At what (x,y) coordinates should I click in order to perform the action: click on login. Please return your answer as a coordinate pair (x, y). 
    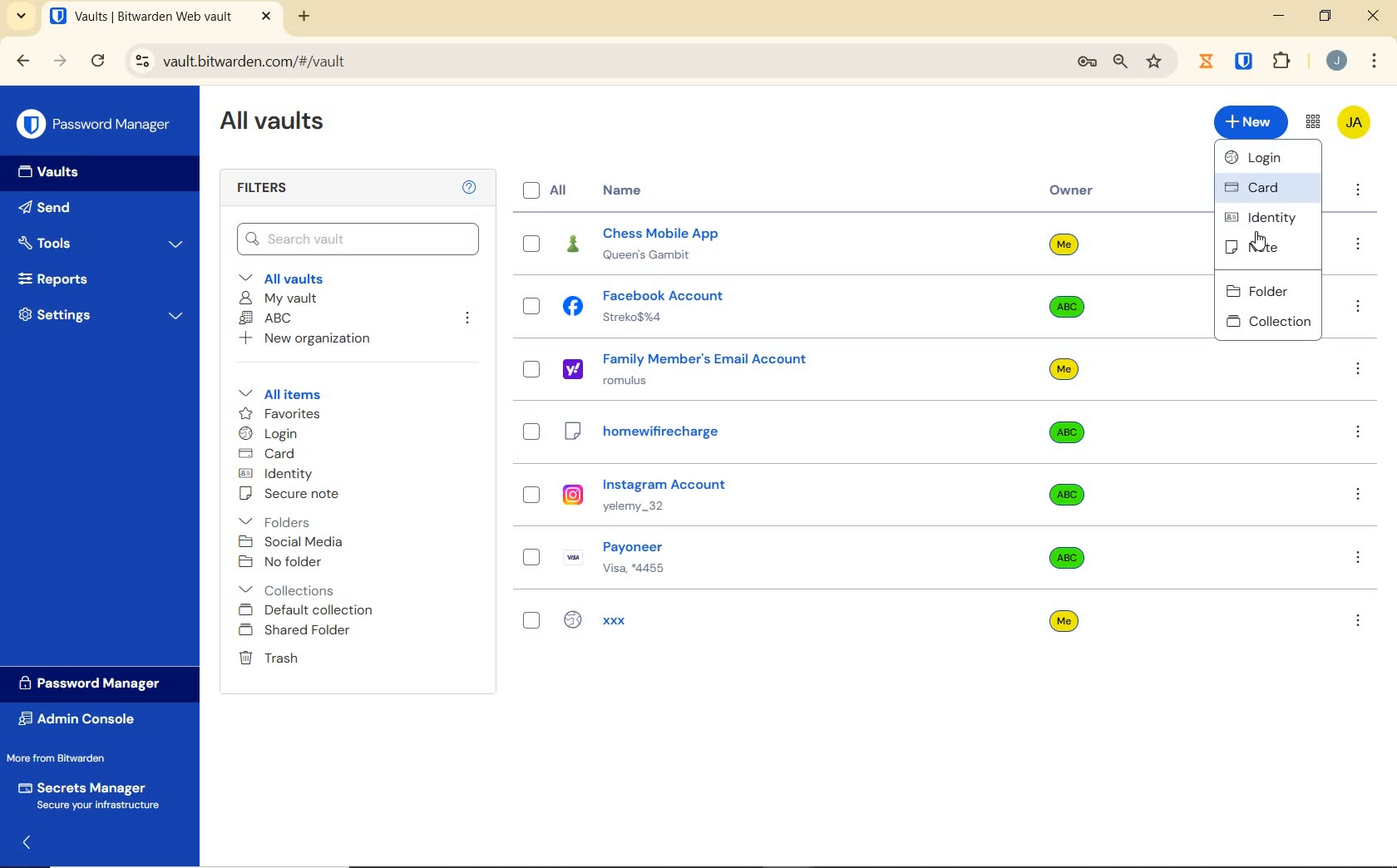
    Looking at the image, I should click on (1271, 160).